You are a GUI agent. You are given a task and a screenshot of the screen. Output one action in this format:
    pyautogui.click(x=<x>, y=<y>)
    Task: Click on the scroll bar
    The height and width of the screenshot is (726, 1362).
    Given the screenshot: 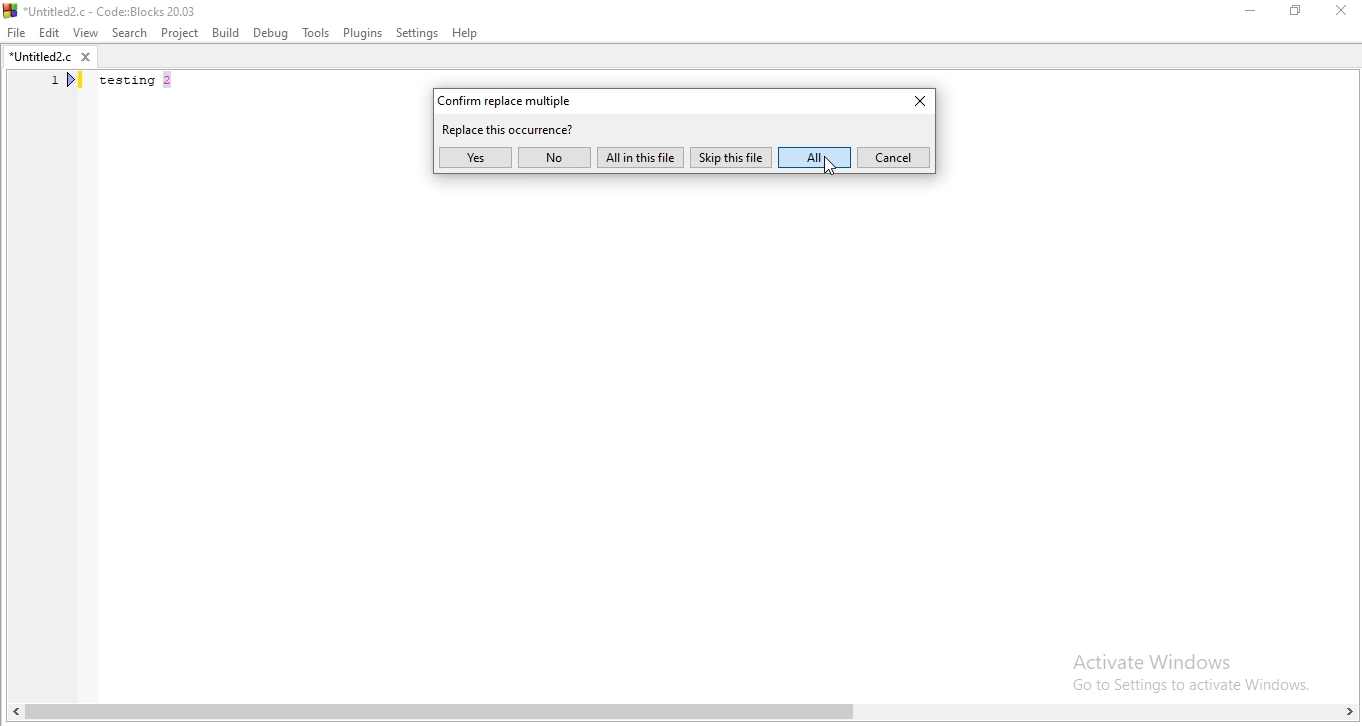 What is the action you would take?
    pyautogui.click(x=681, y=714)
    